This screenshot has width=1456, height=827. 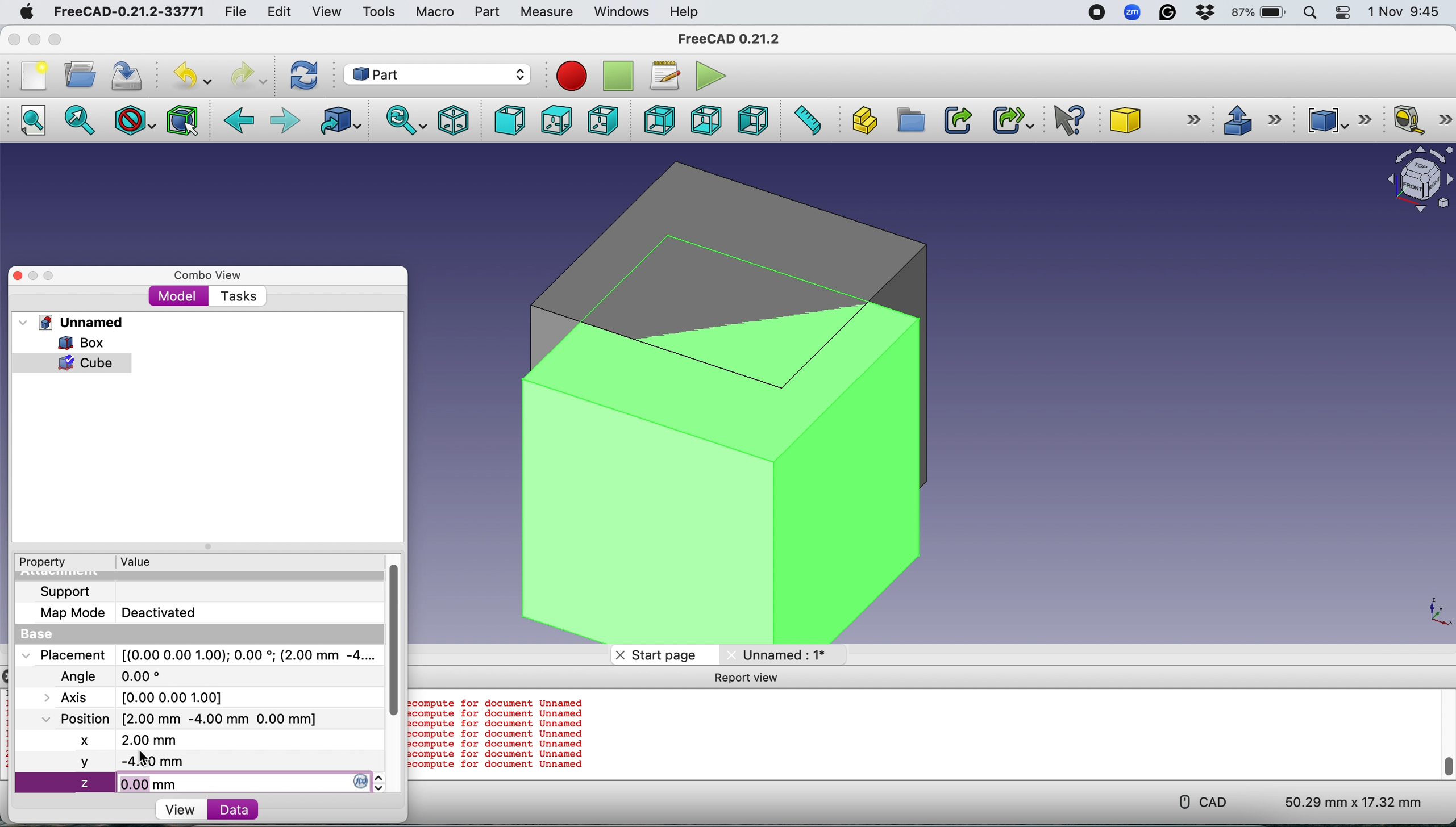 What do you see at coordinates (307, 75) in the screenshot?
I see `Refresh` at bounding box center [307, 75].